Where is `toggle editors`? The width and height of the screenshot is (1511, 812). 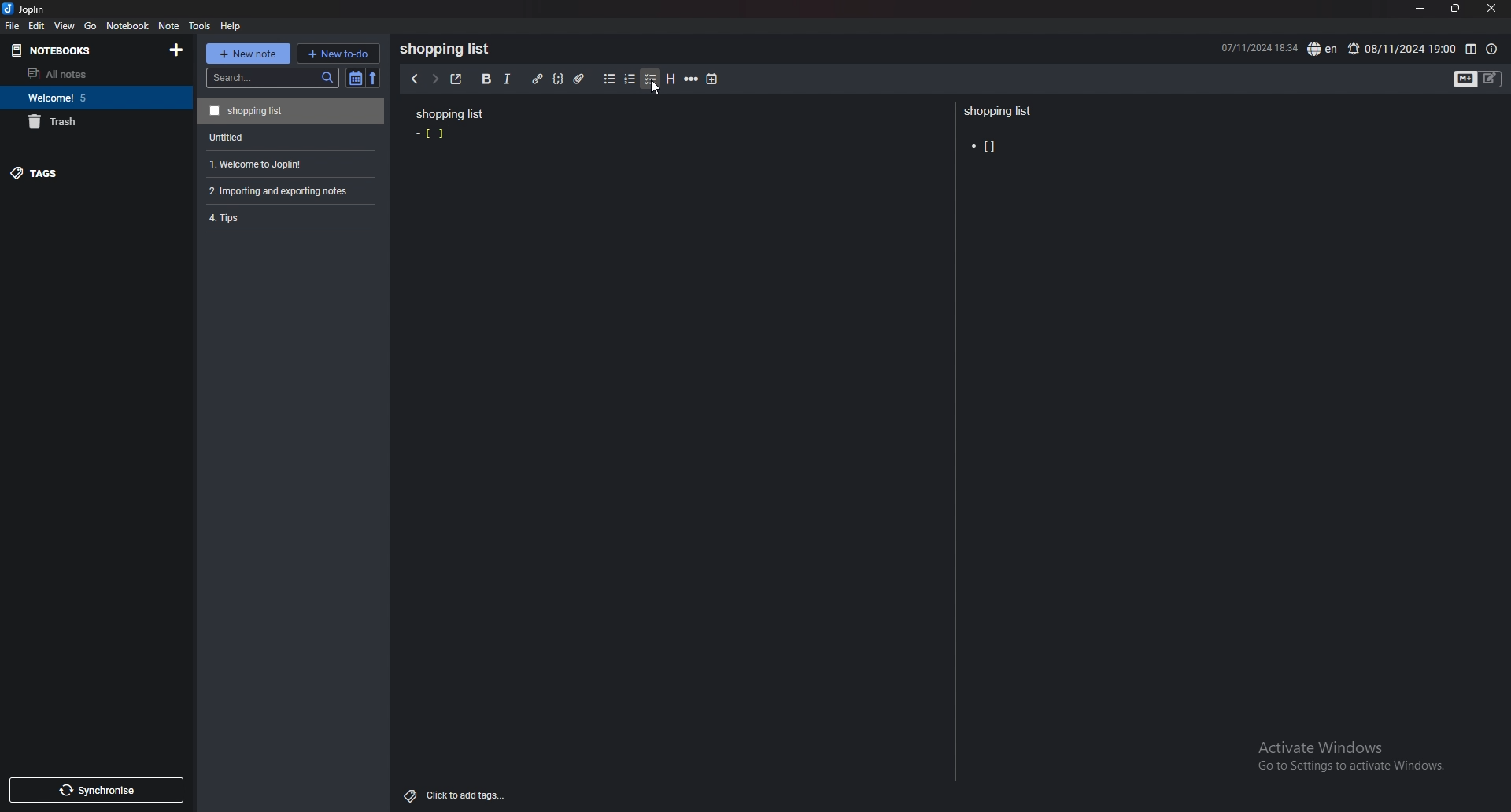 toggle editors is located at coordinates (1478, 79).